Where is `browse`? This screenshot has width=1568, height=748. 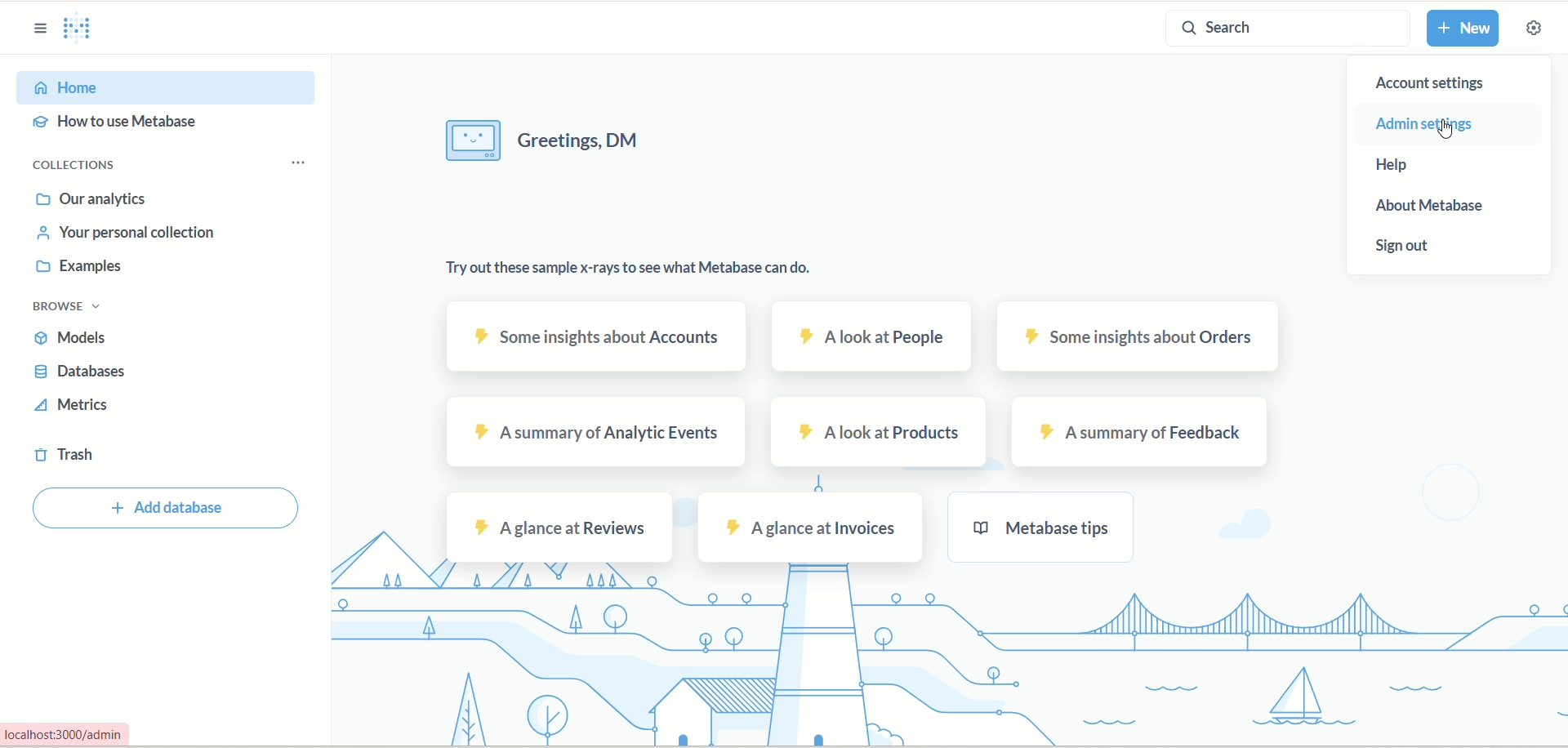
browse is located at coordinates (72, 309).